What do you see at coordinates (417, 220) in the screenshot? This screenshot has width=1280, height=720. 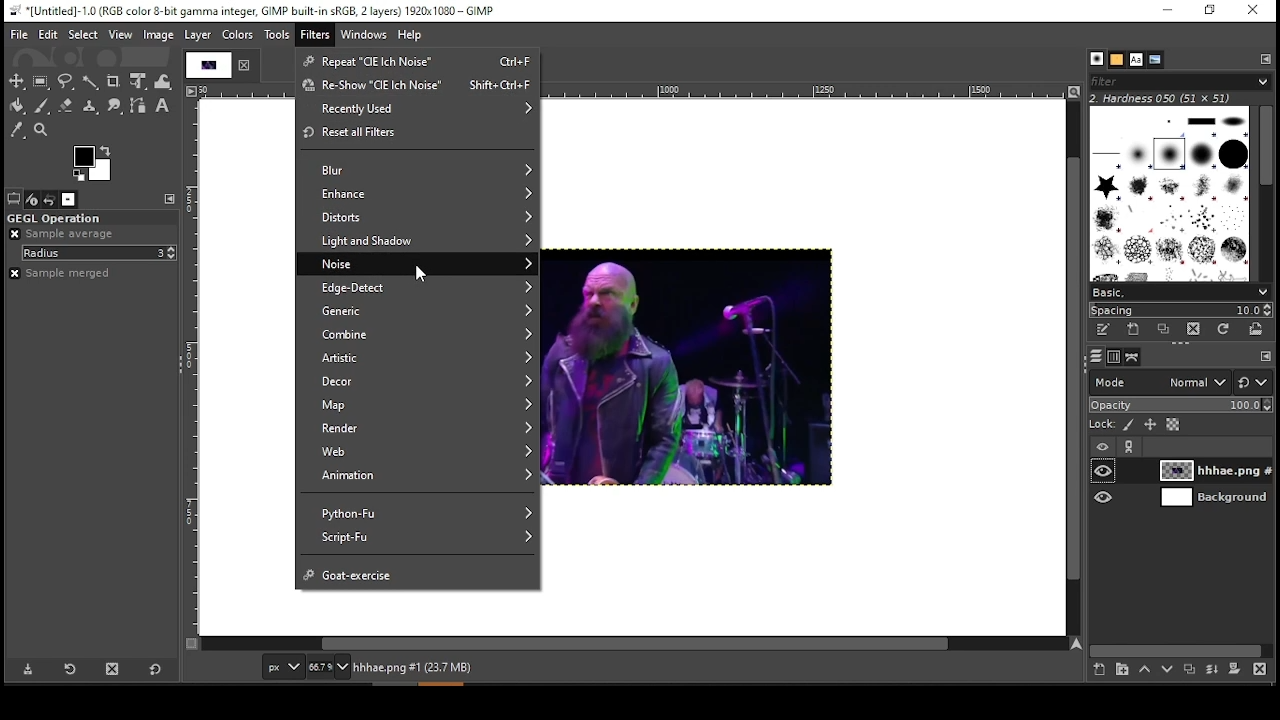 I see `distorts` at bounding box center [417, 220].